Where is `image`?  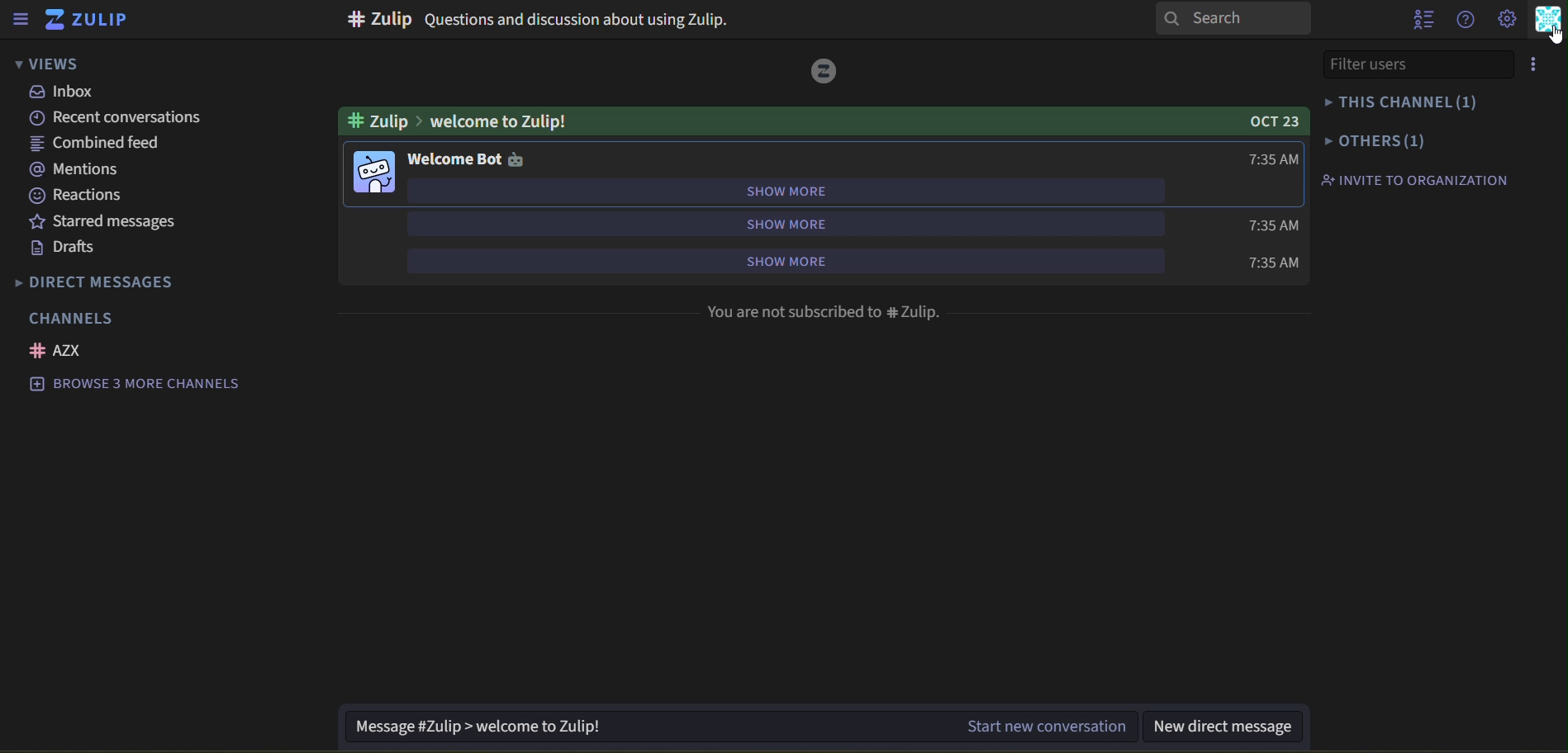
image is located at coordinates (824, 71).